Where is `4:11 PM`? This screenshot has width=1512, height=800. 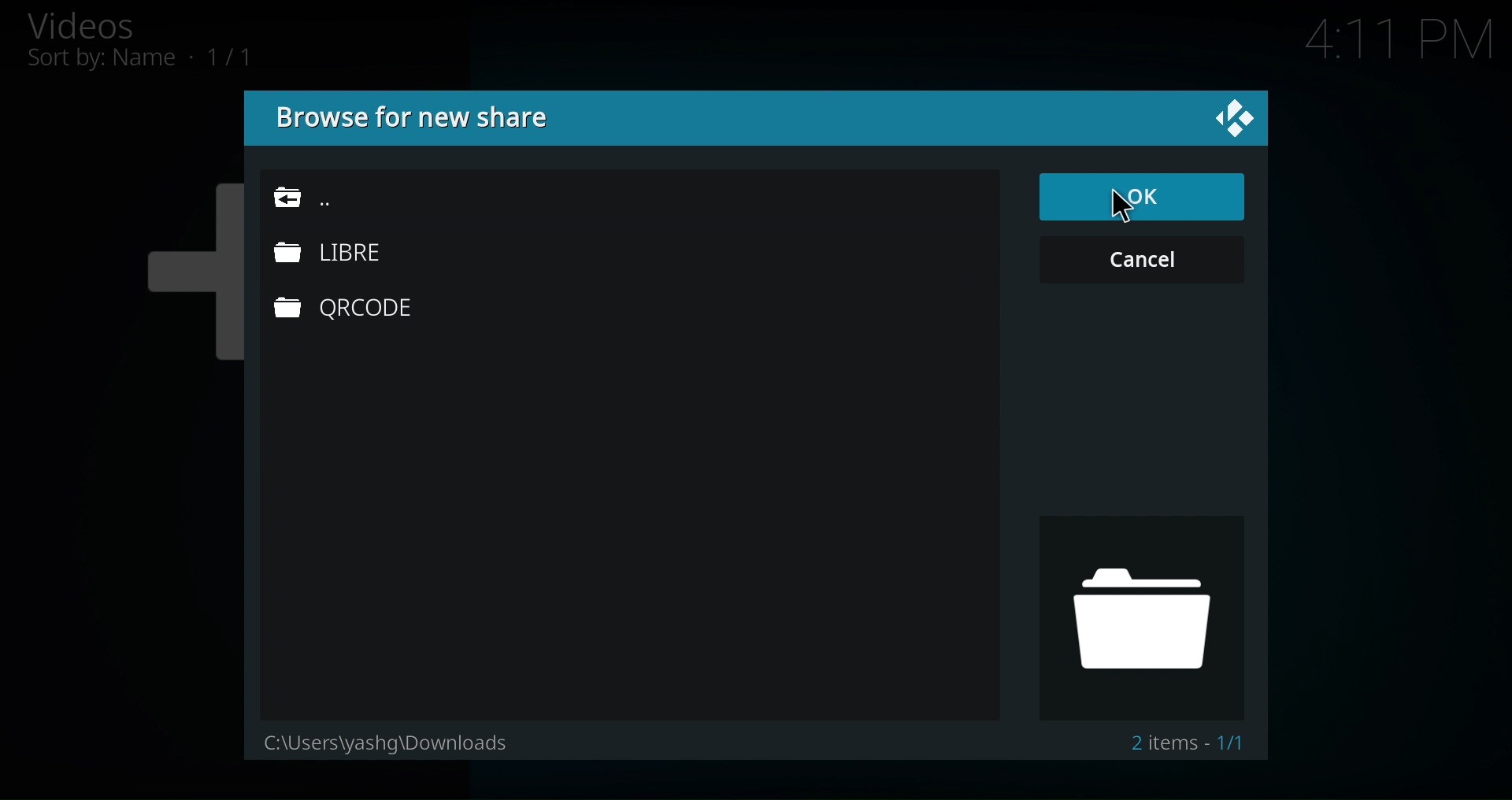
4:11 PM is located at coordinates (1383, 42).